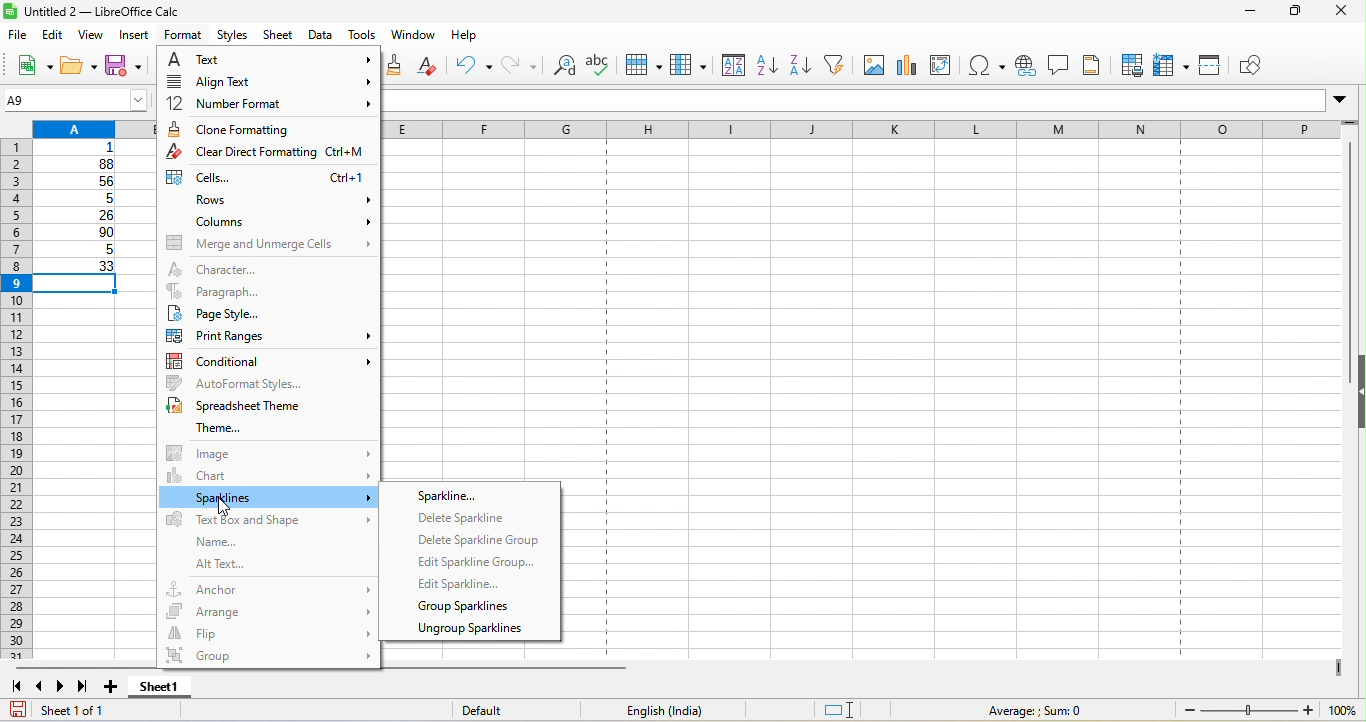 This screenshot has height=722, width=1366. Describe the element at coordinates (280, 36) in the screenshot. I see `sheet` at that location.